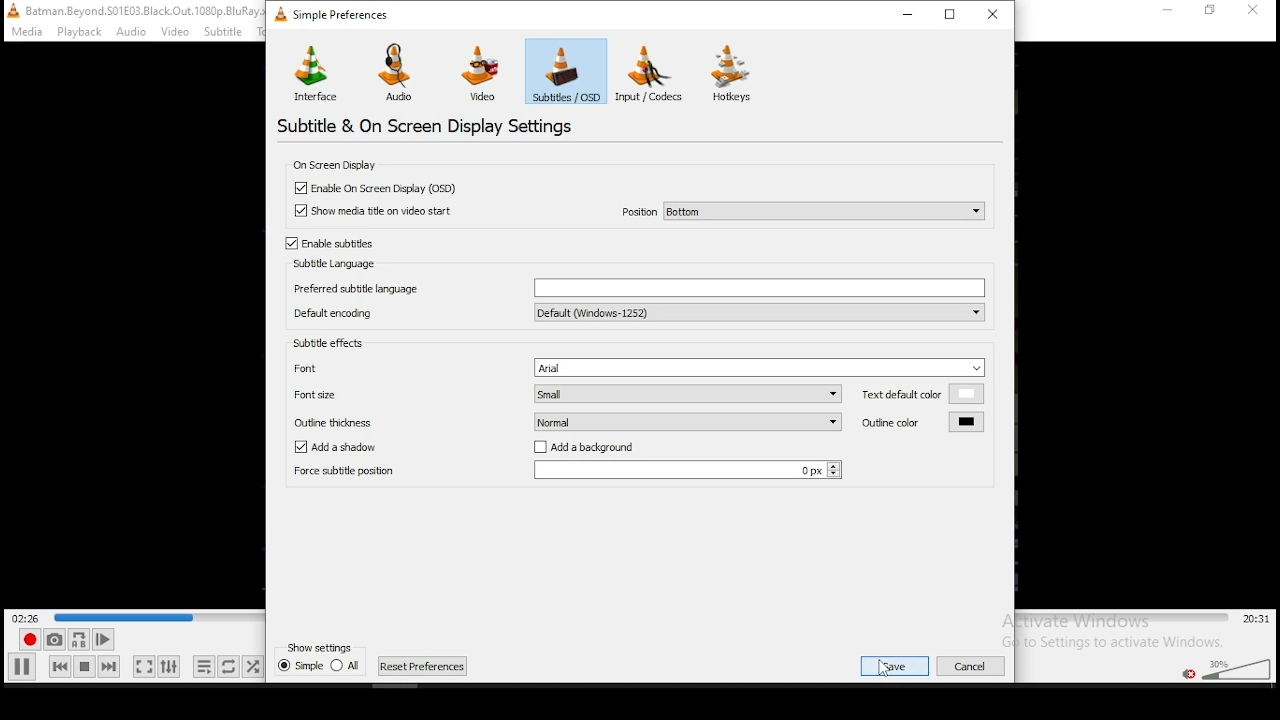  What do you see at coordinates (371, 419) in the screenshot?
I see `outline thickness` at bounding box center [371, 419].